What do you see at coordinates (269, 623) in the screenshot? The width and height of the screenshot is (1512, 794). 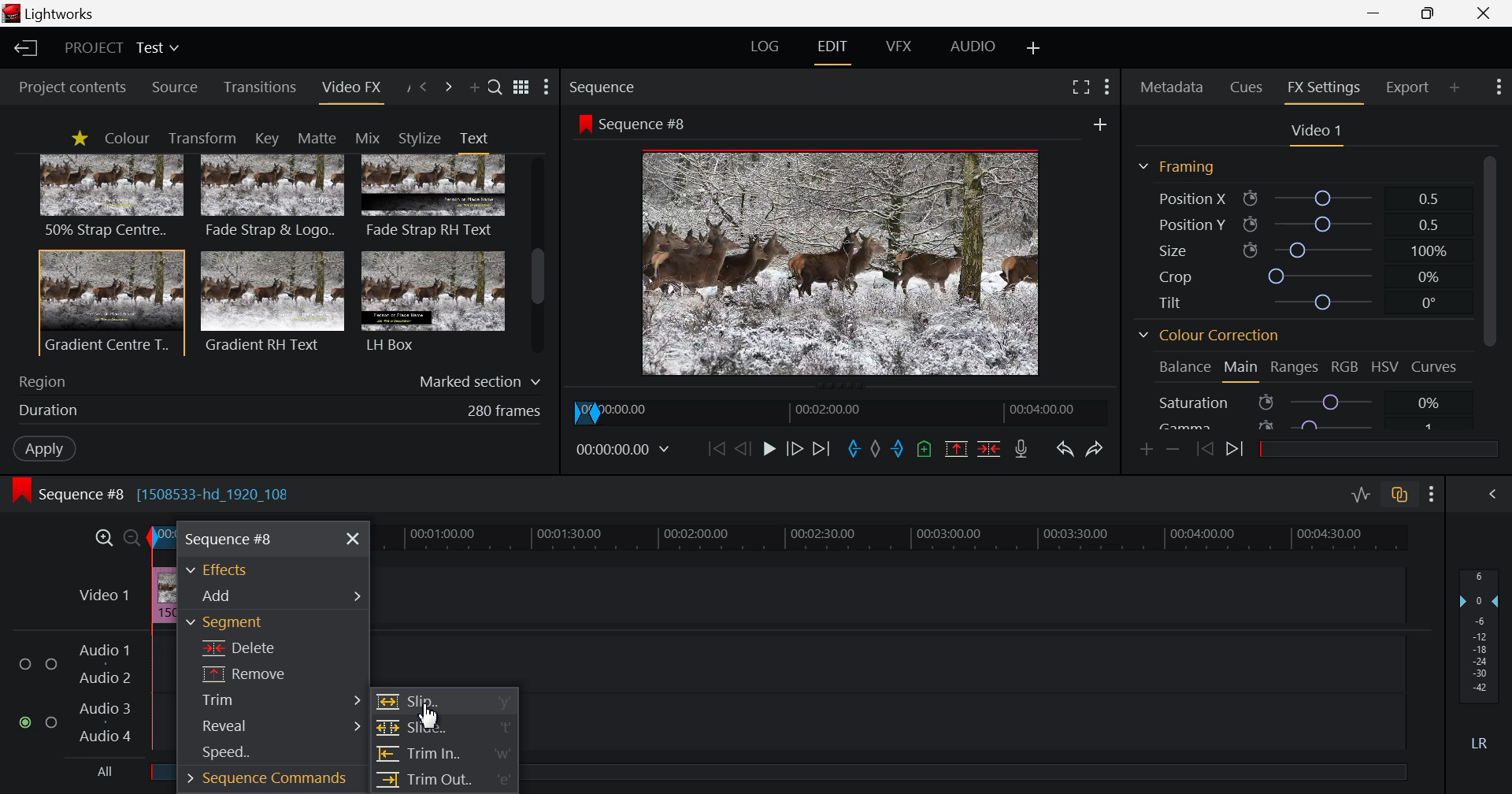 I see `Segment` at bounding box center [269, 623].